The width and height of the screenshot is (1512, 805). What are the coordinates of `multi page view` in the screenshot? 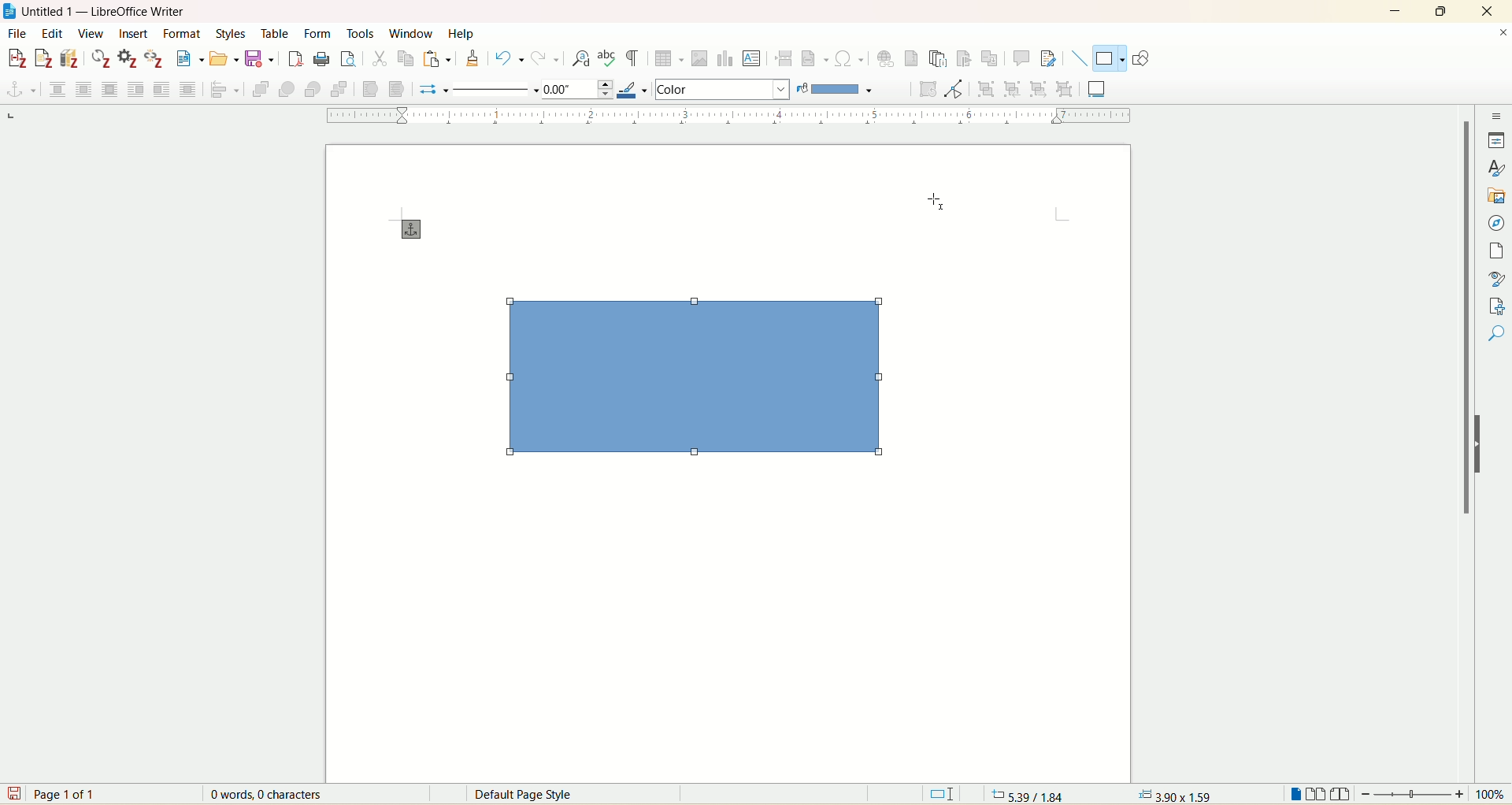 It's located at (1317, 793).